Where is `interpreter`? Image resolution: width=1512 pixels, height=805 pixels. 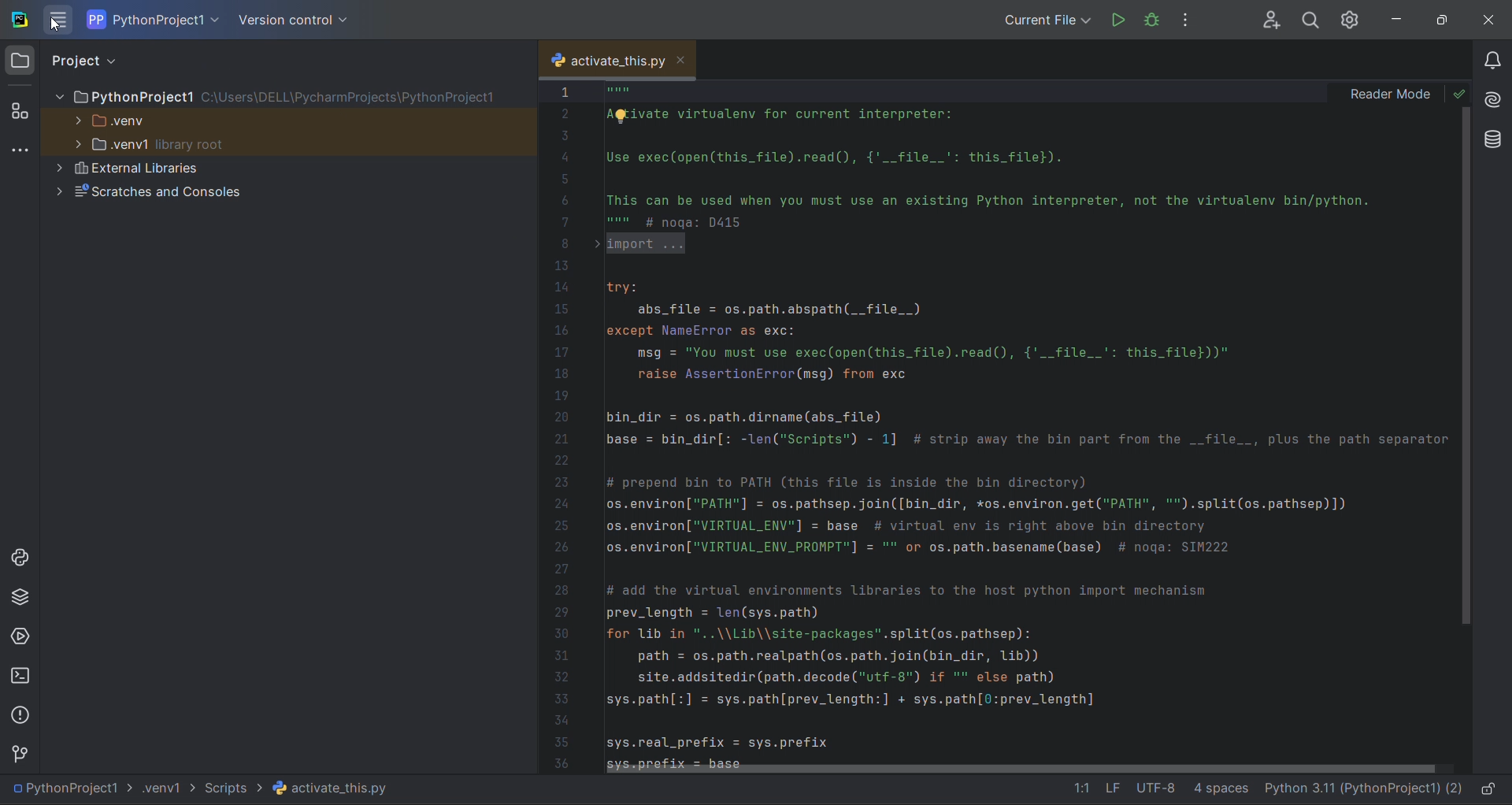
interpreter is located at coordinates (1362, 789).